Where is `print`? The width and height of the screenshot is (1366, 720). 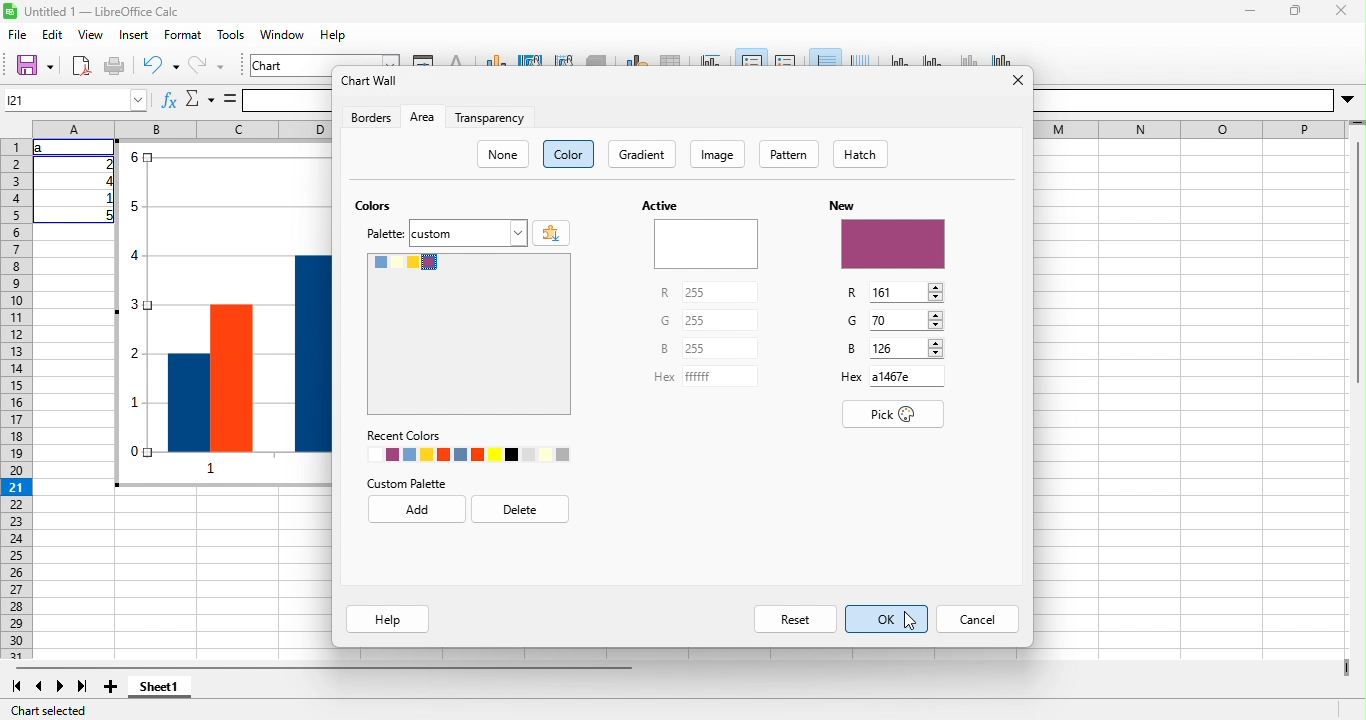 print is located at coordinates (114, 66).